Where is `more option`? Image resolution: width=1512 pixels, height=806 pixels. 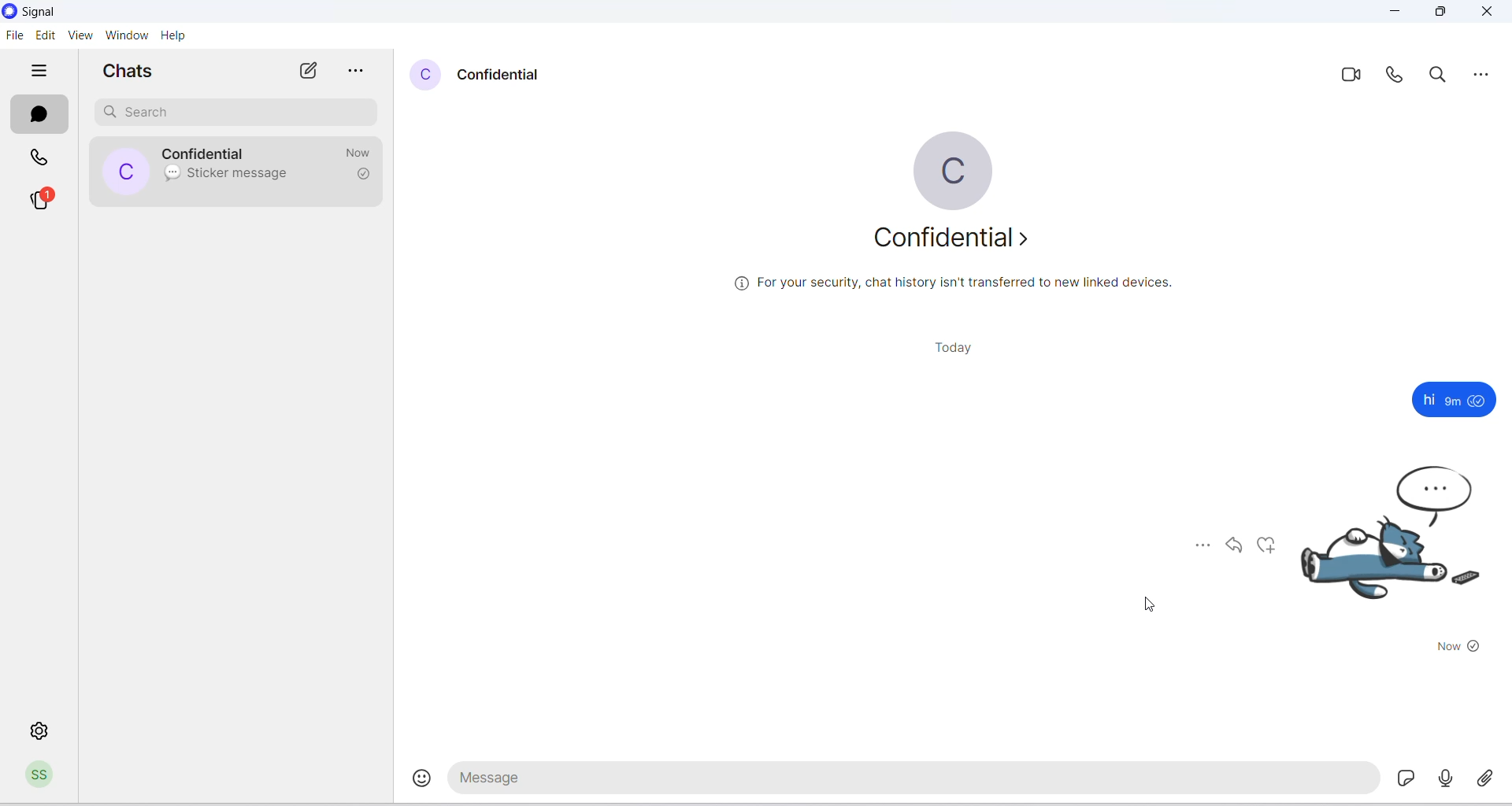 more option is located at coordinates (358, 72).